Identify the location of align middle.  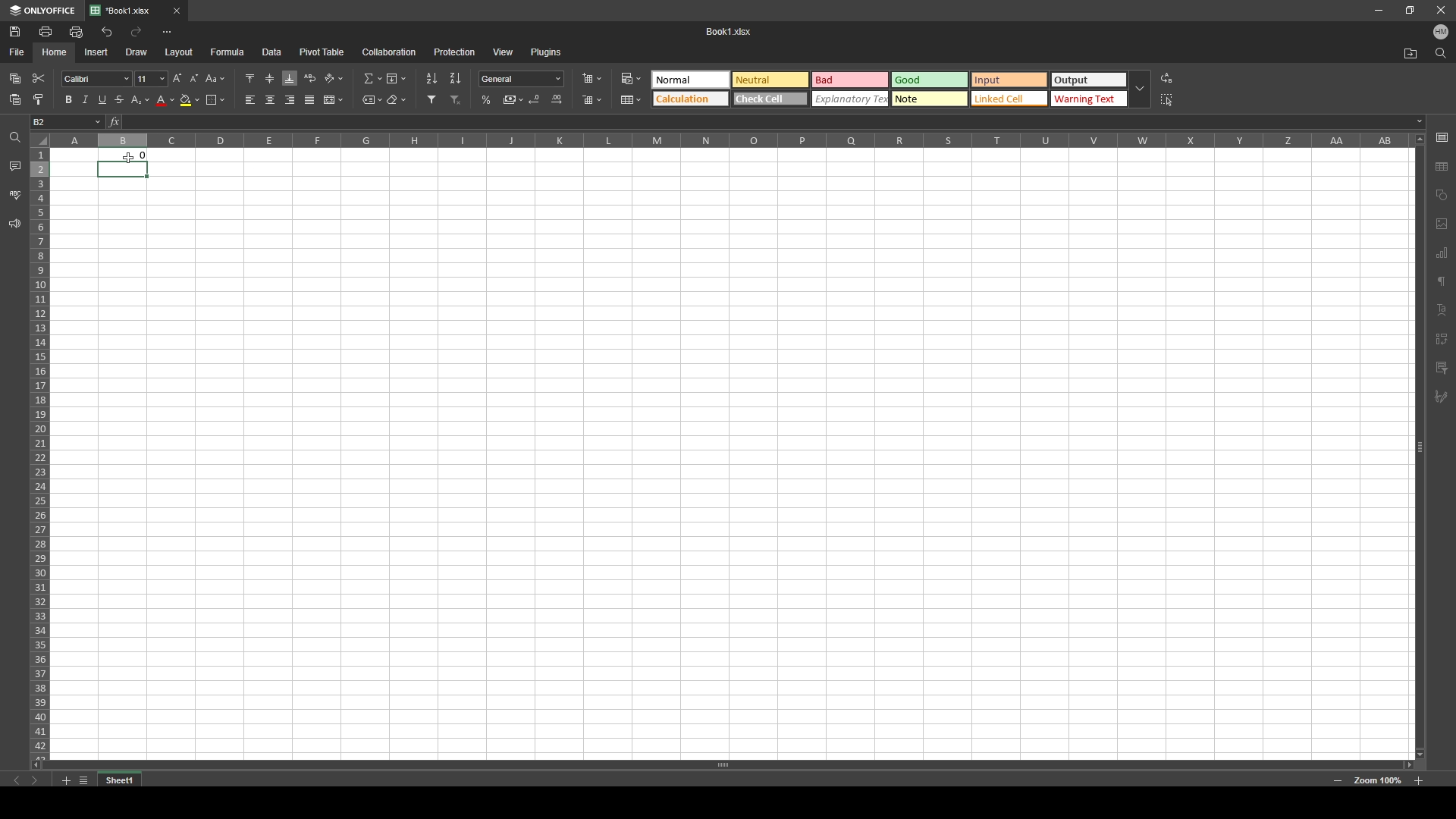
(270, 77).